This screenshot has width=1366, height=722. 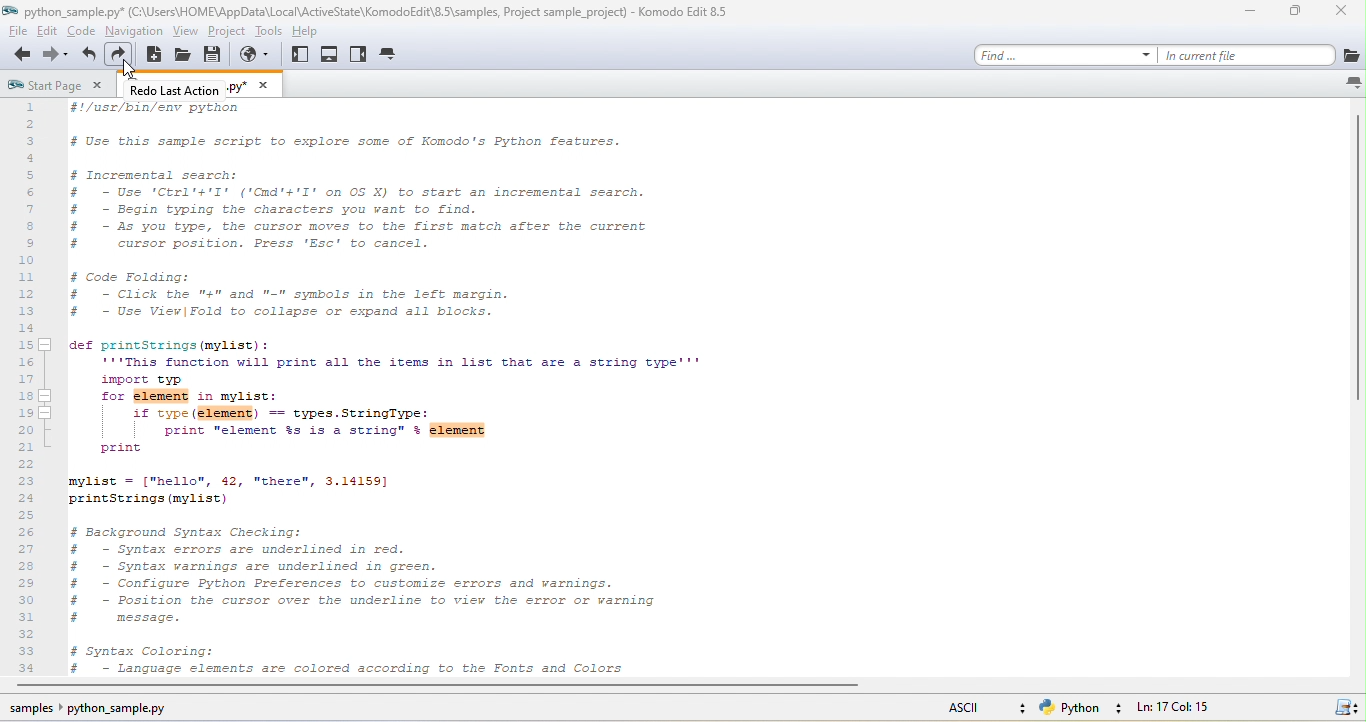 What do you see at coordinates (1340, 706) in the screenshot?
I see `syntax checking` at bounding box center [1340, 706].